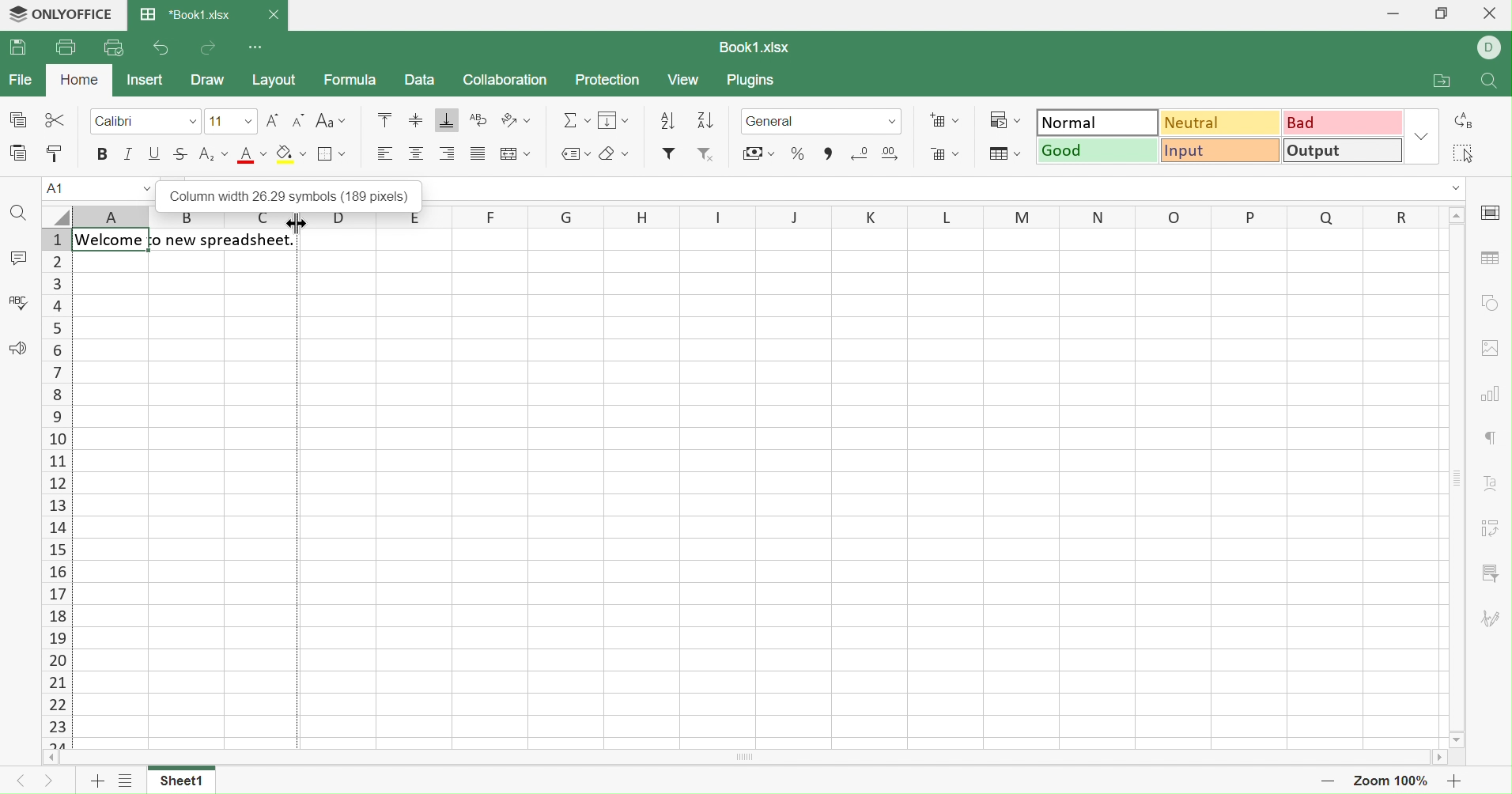  I want to click on Draw, so click(209, 81).